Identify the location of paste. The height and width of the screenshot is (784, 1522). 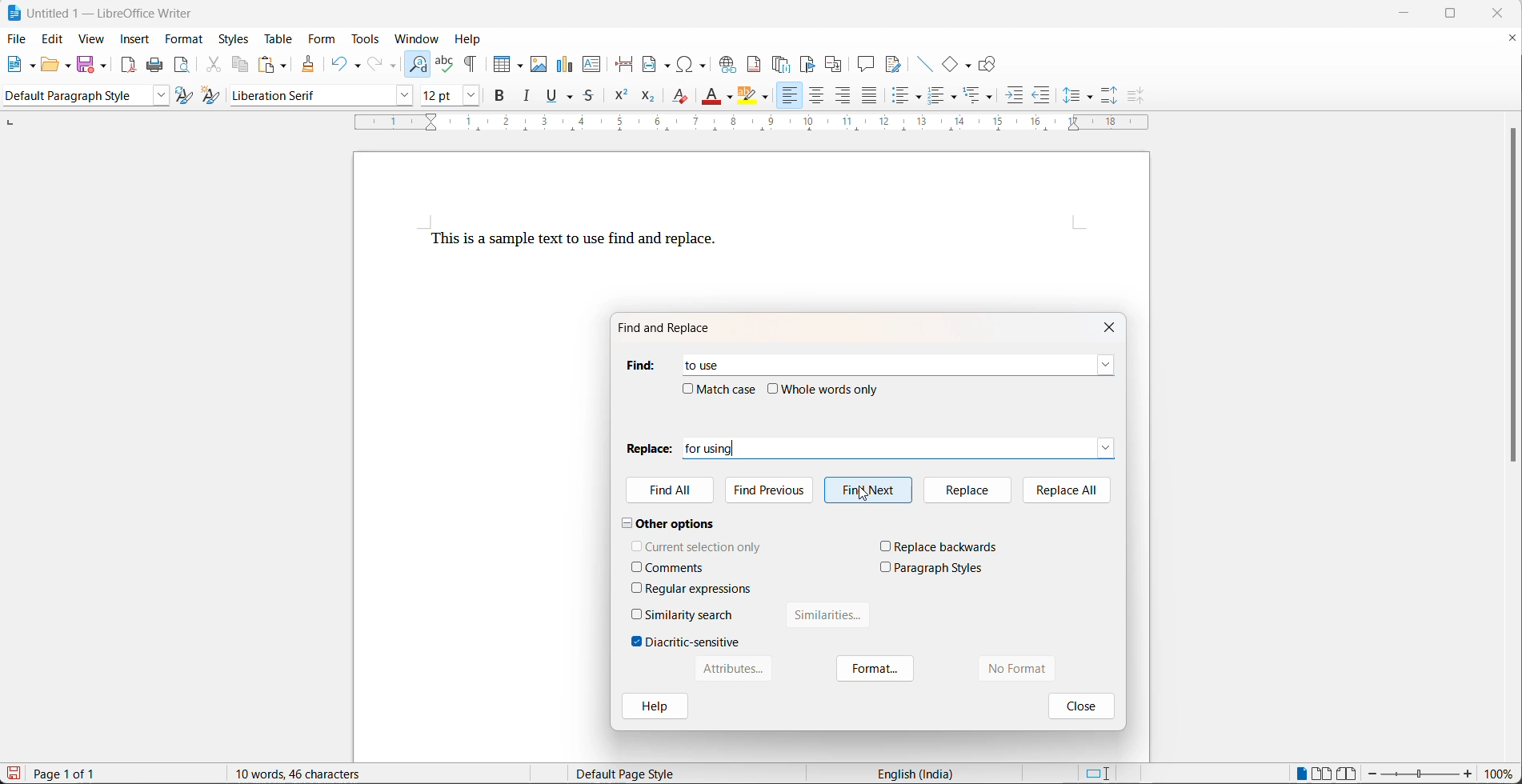
(267, 64).